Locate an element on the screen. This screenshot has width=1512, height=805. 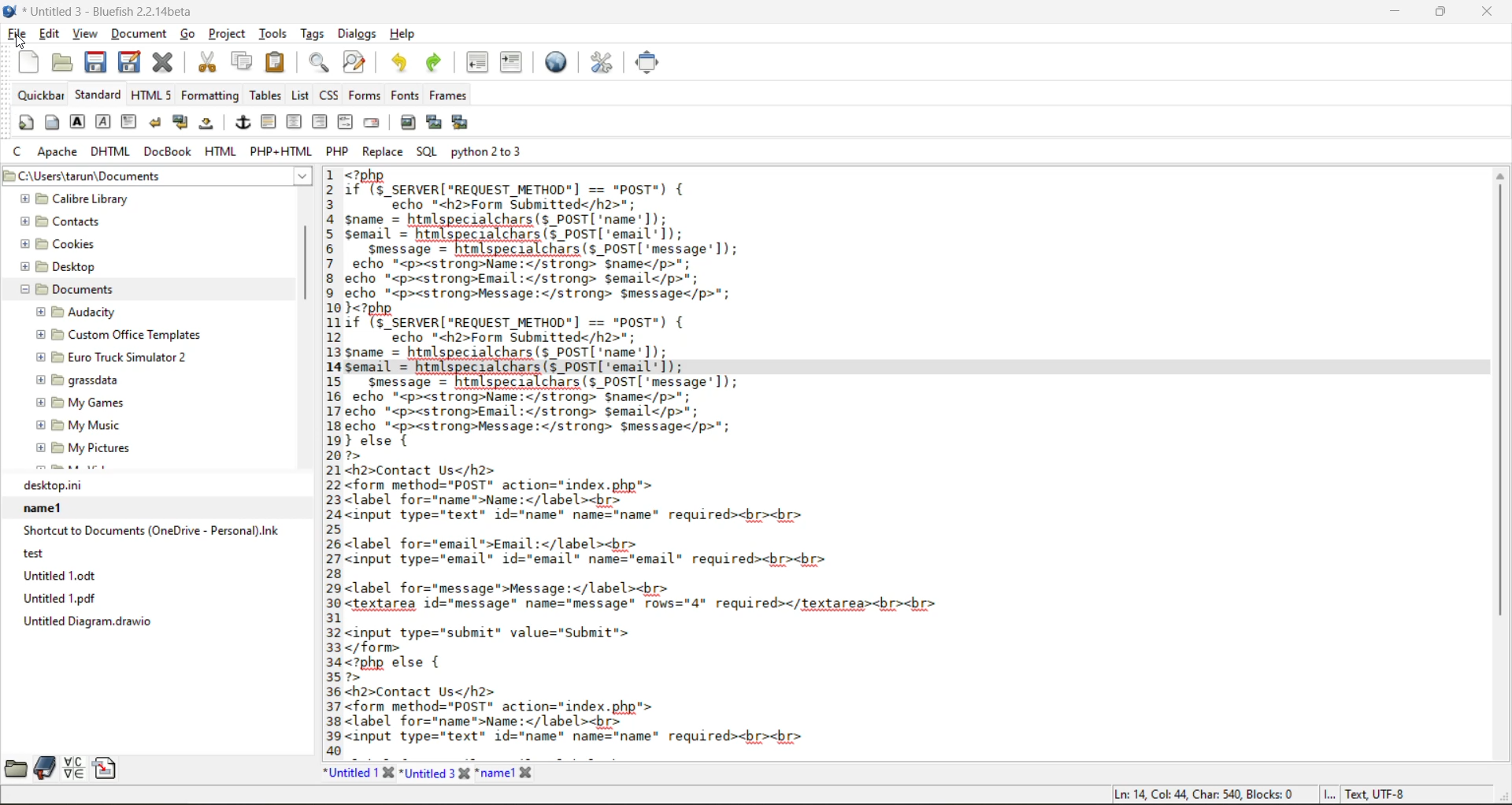
formatting is located at coordinates (211, 95).